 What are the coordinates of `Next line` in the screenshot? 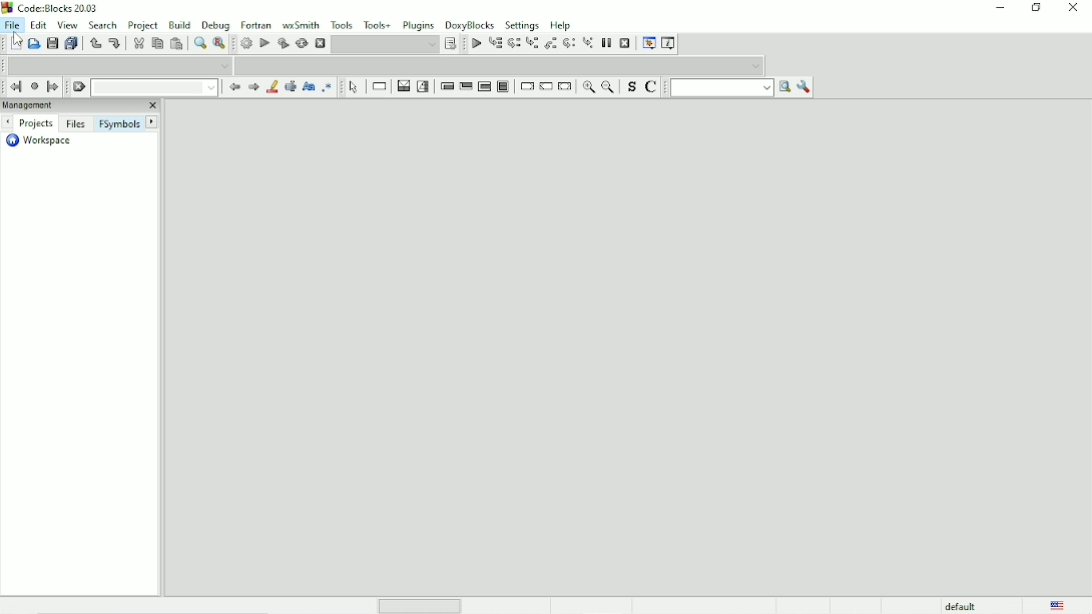 It's located at (513, 44).